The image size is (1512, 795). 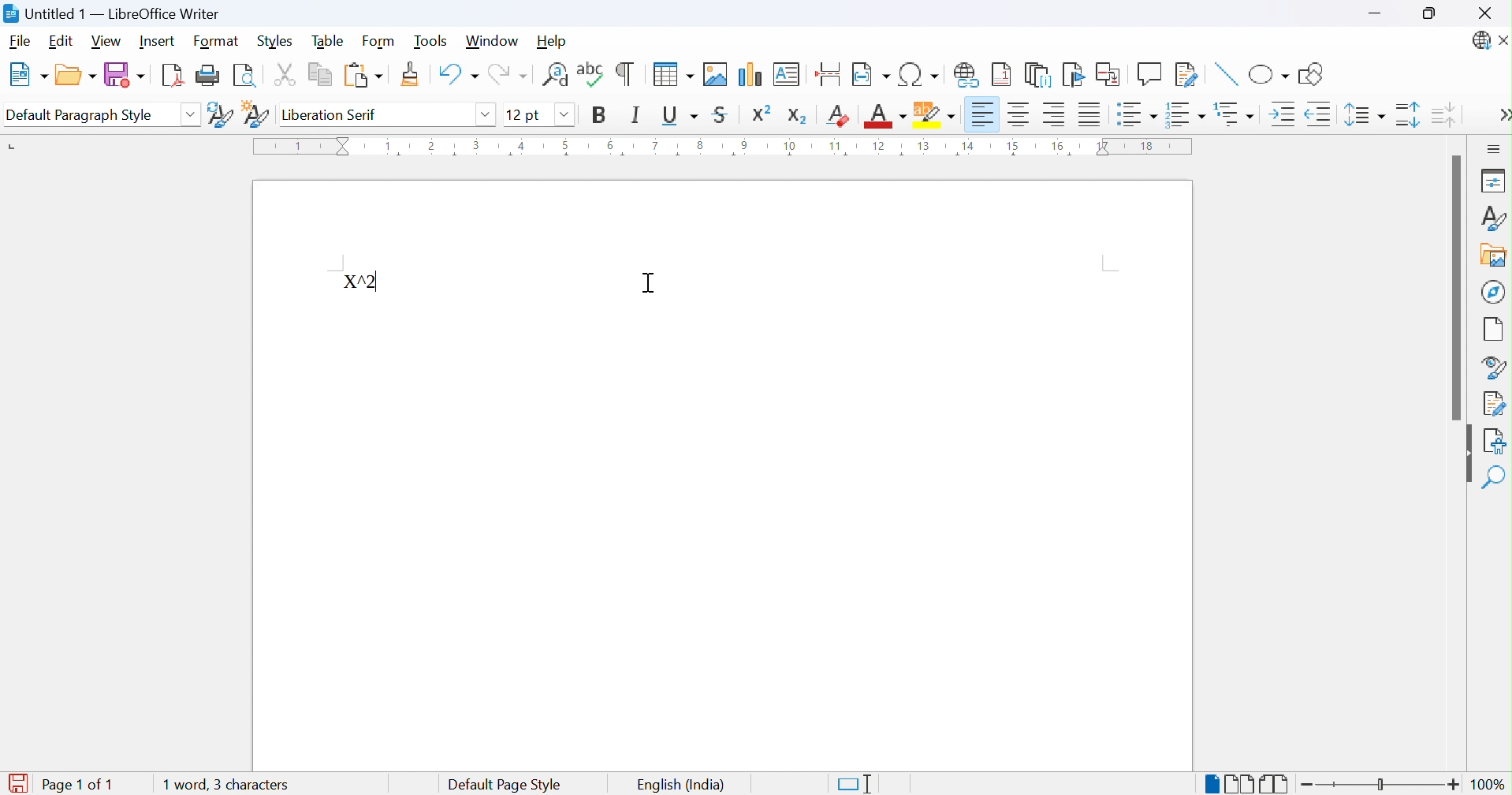 I want to click on Align left, so click(x=983, y=115).